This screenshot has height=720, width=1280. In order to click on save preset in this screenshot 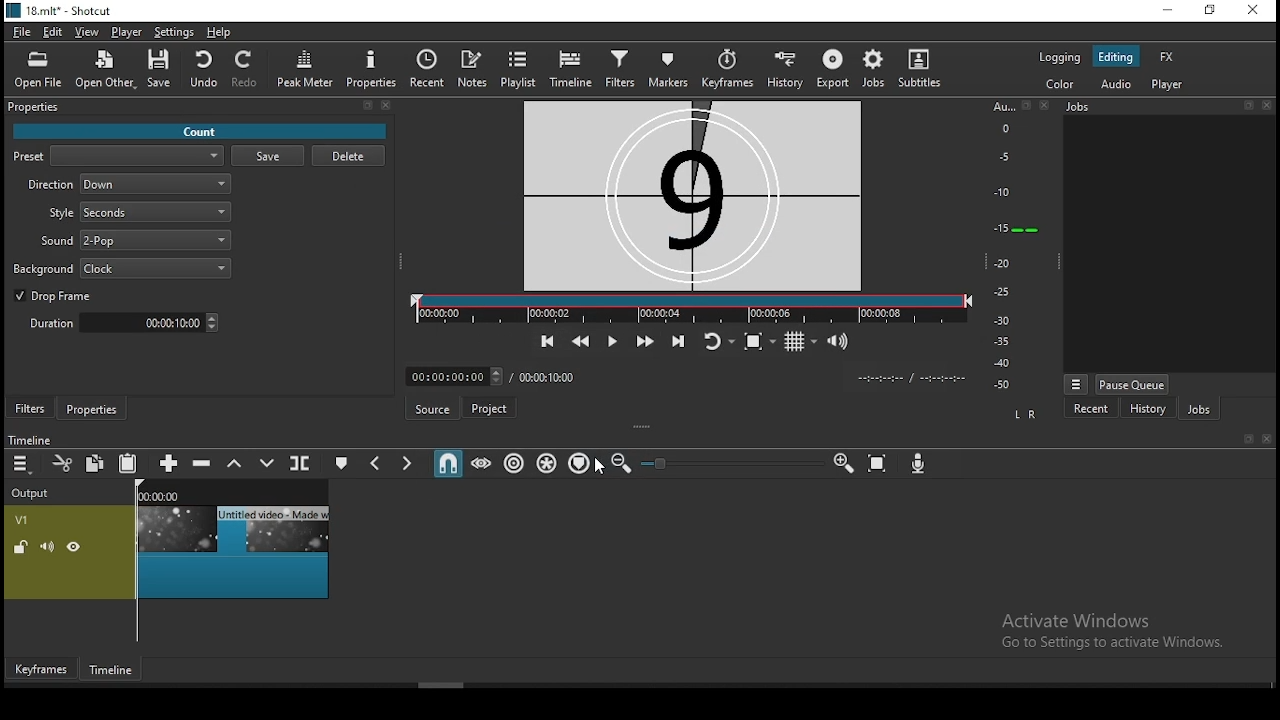, I will do `click(269, 156)`.